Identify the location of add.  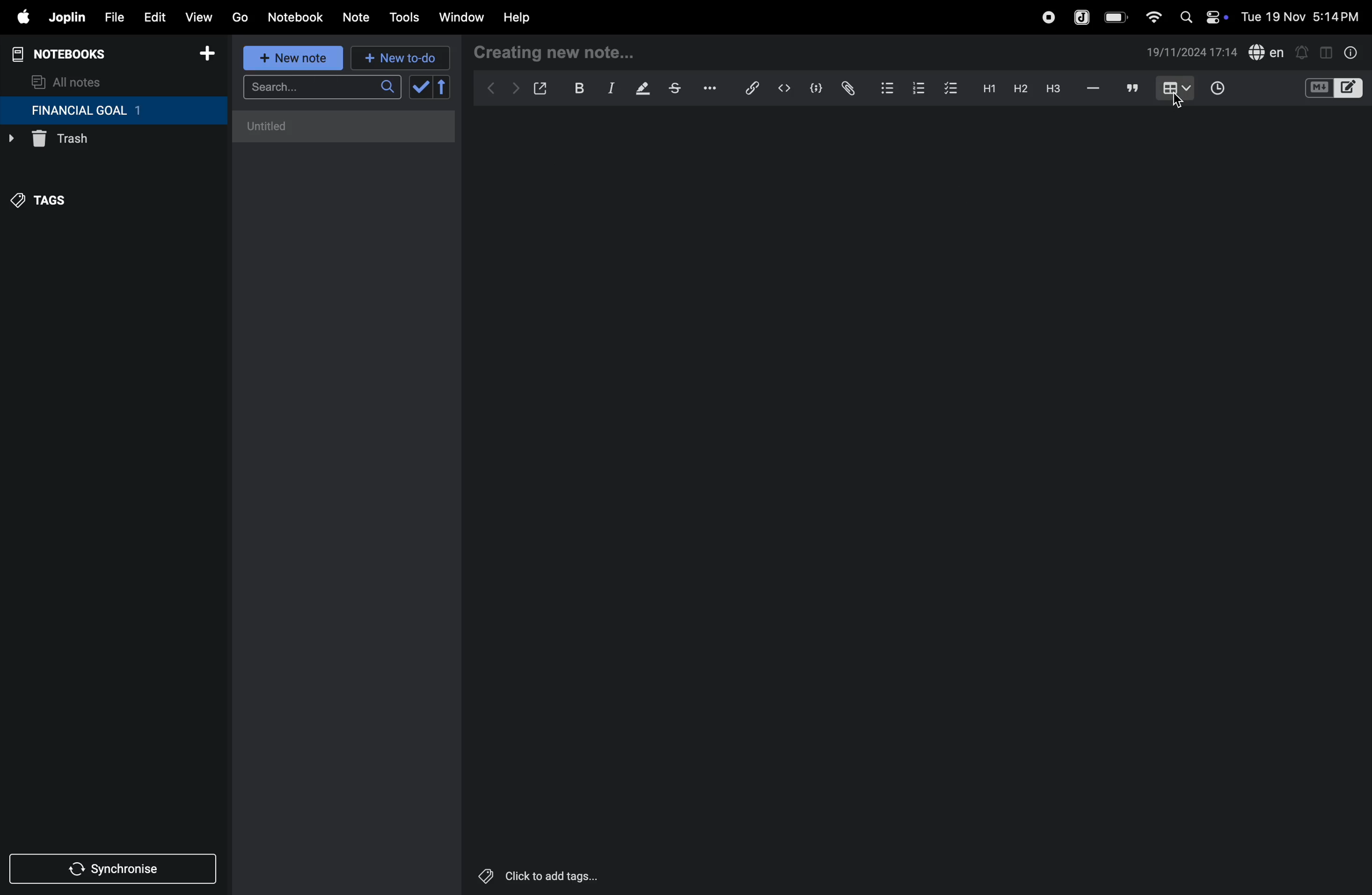
(207, 55).